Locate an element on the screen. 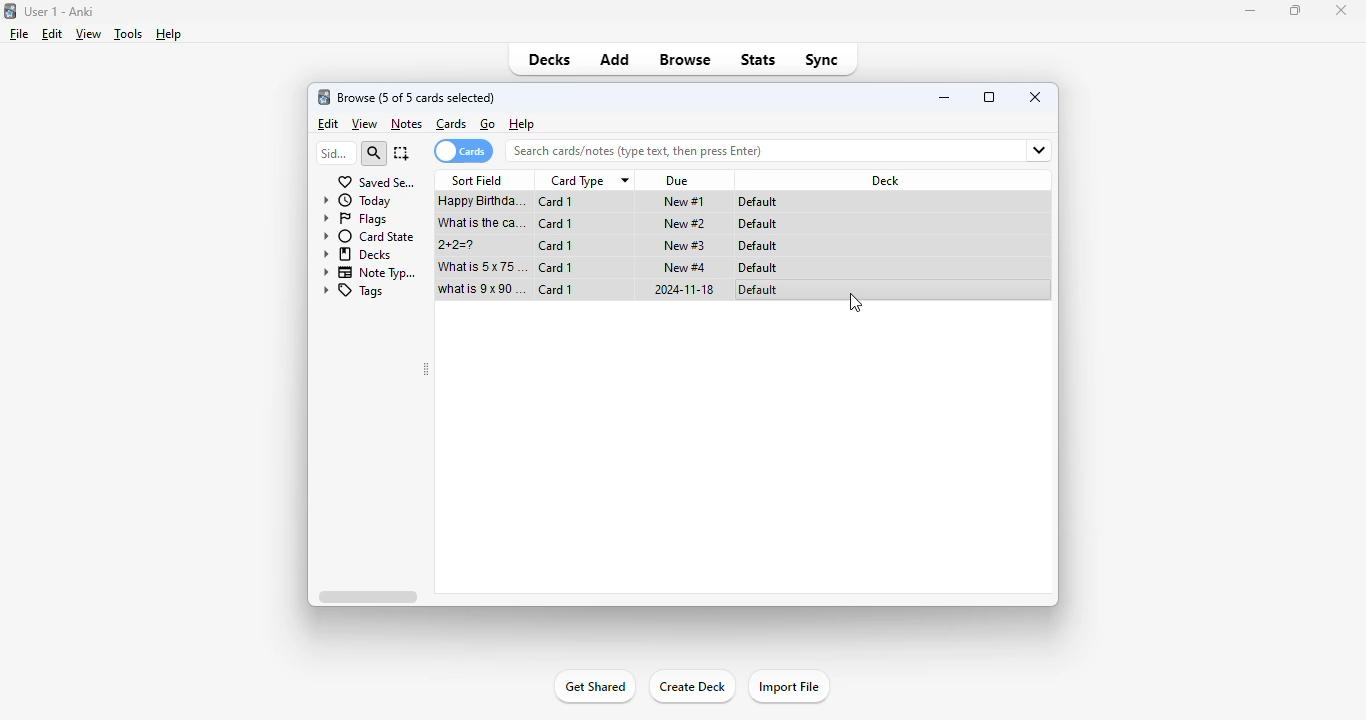 The height and width of the screenshot is (720, 1366). add is located at coordinates (616, 60).